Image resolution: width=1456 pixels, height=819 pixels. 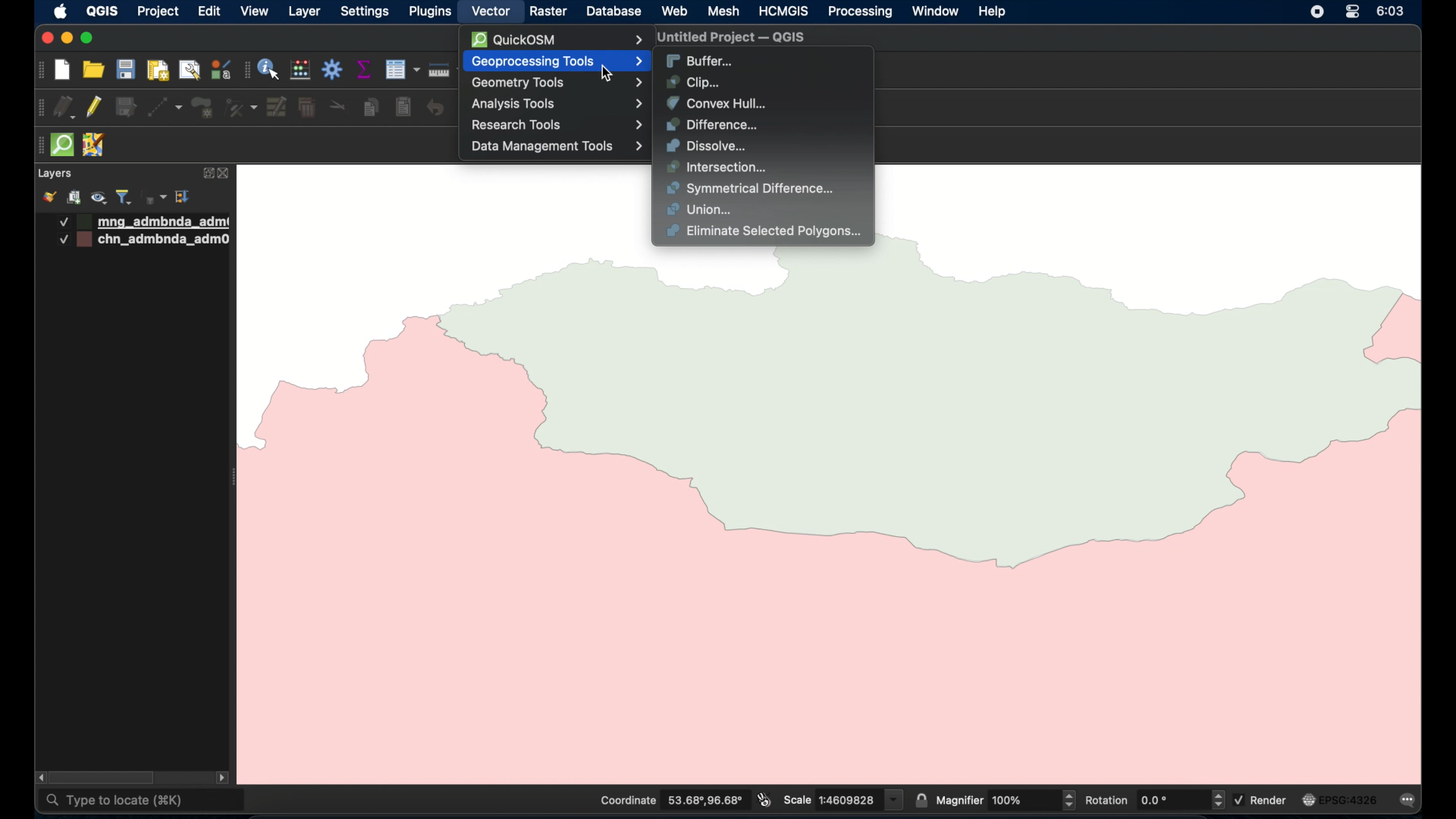 I want to click on clip, so click(x=694, y=82).